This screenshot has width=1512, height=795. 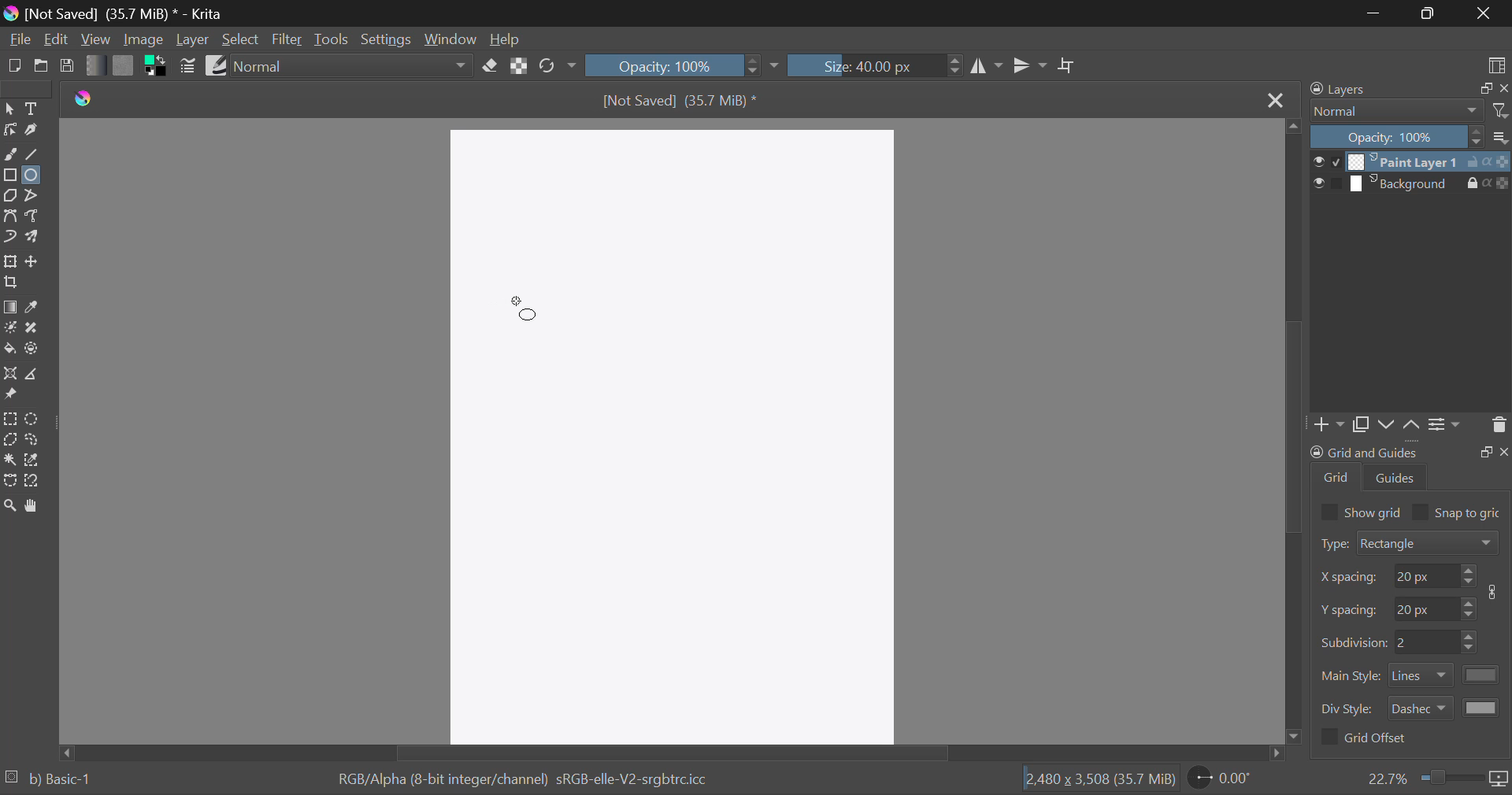 I want to click on Zoom, so click(x=10, y=505).